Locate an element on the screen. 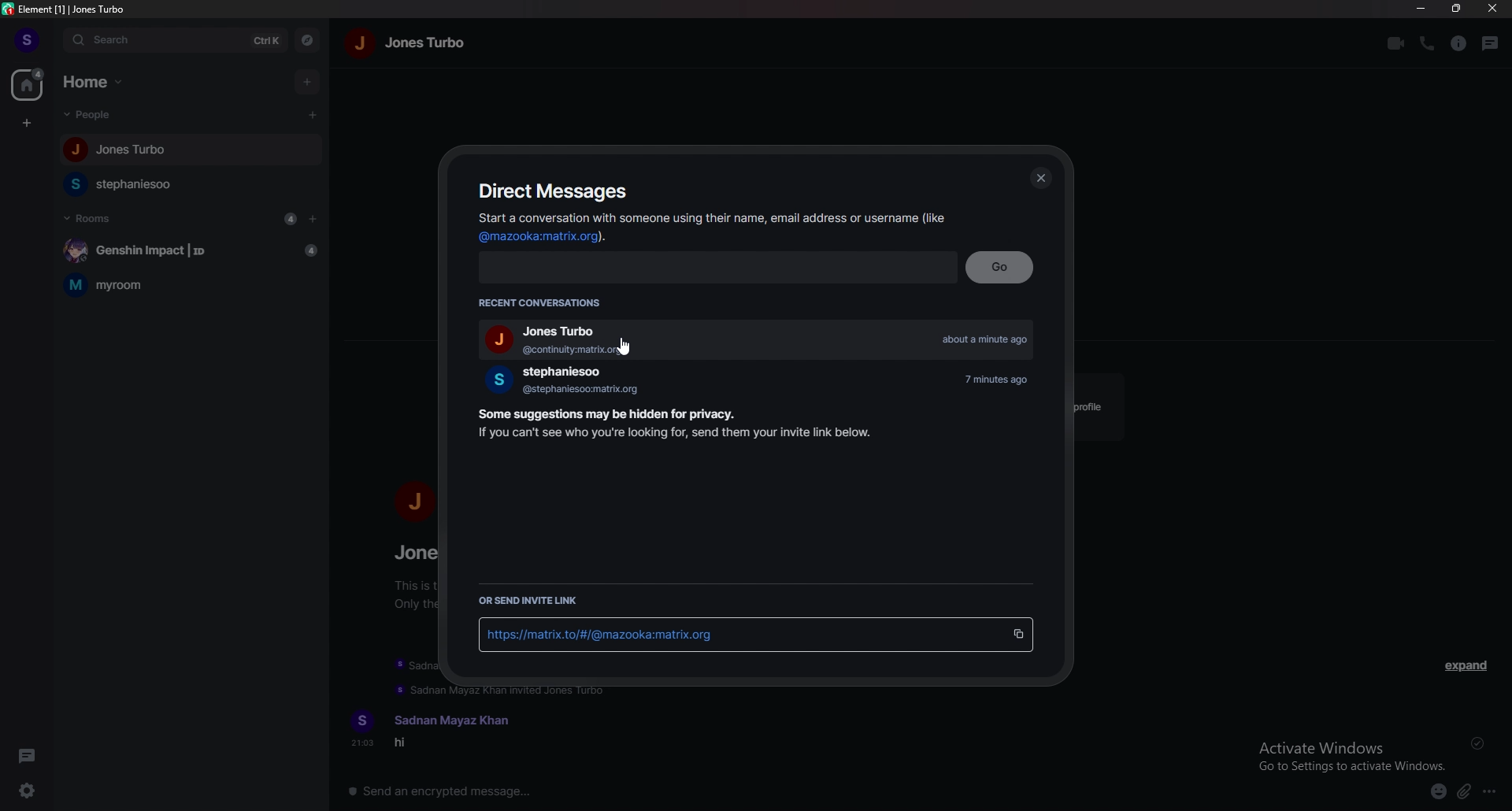 This screenshot has width=1512, height=811. cursor is located at coordinates (310, 115).